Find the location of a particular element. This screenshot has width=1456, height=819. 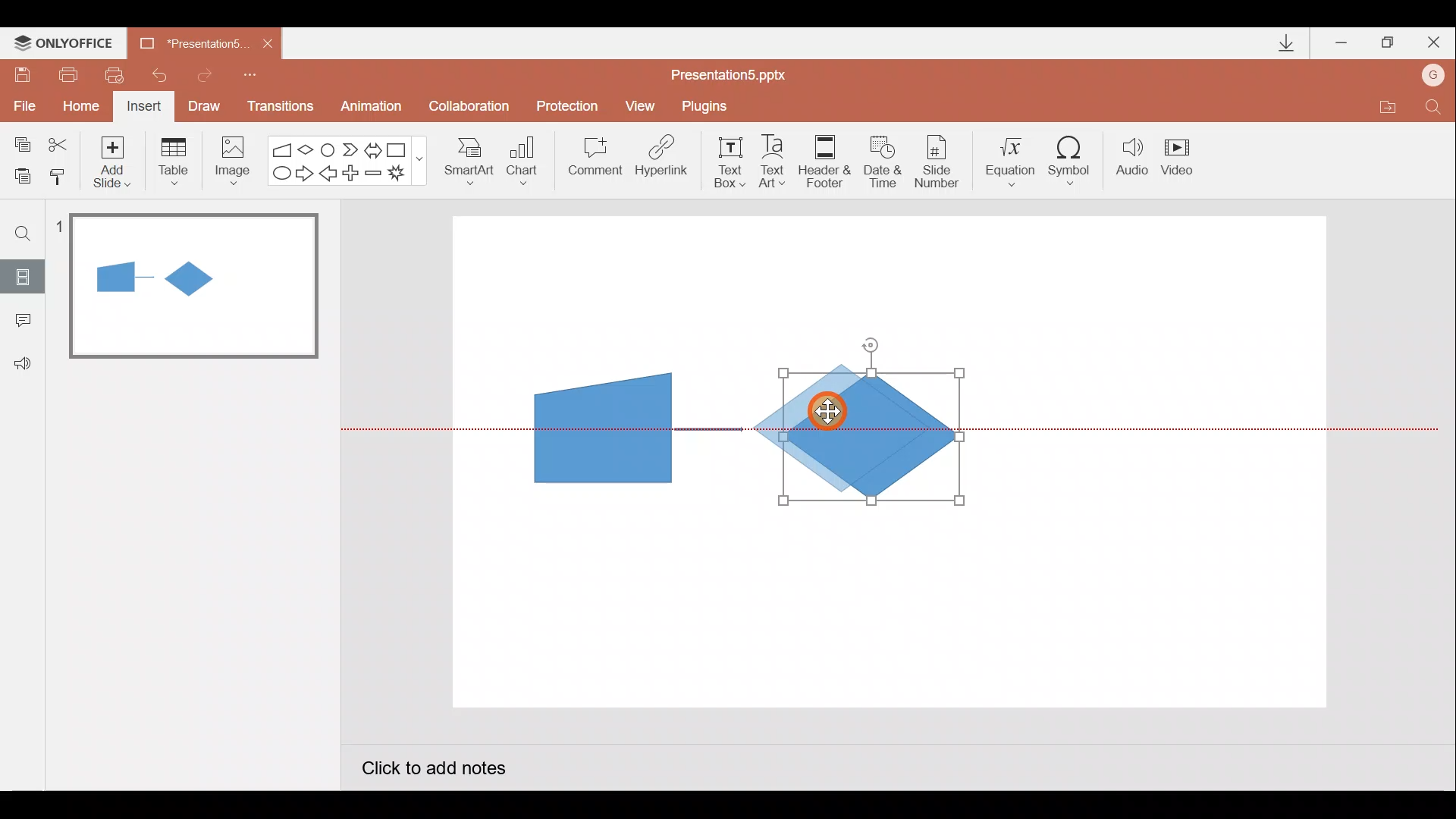

Slide pane is located at coordinates (196, 439).